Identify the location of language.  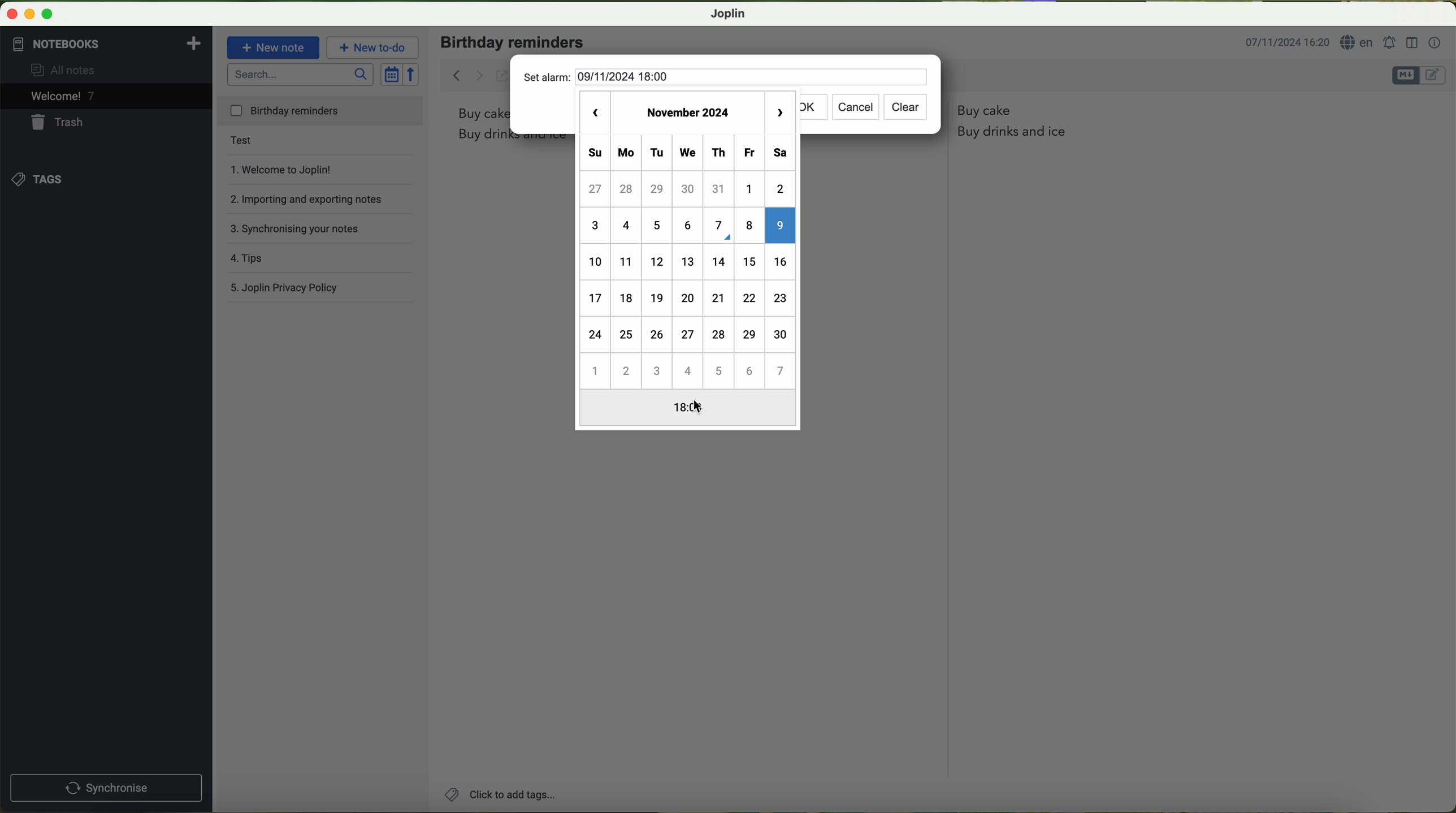
(1359, 44).